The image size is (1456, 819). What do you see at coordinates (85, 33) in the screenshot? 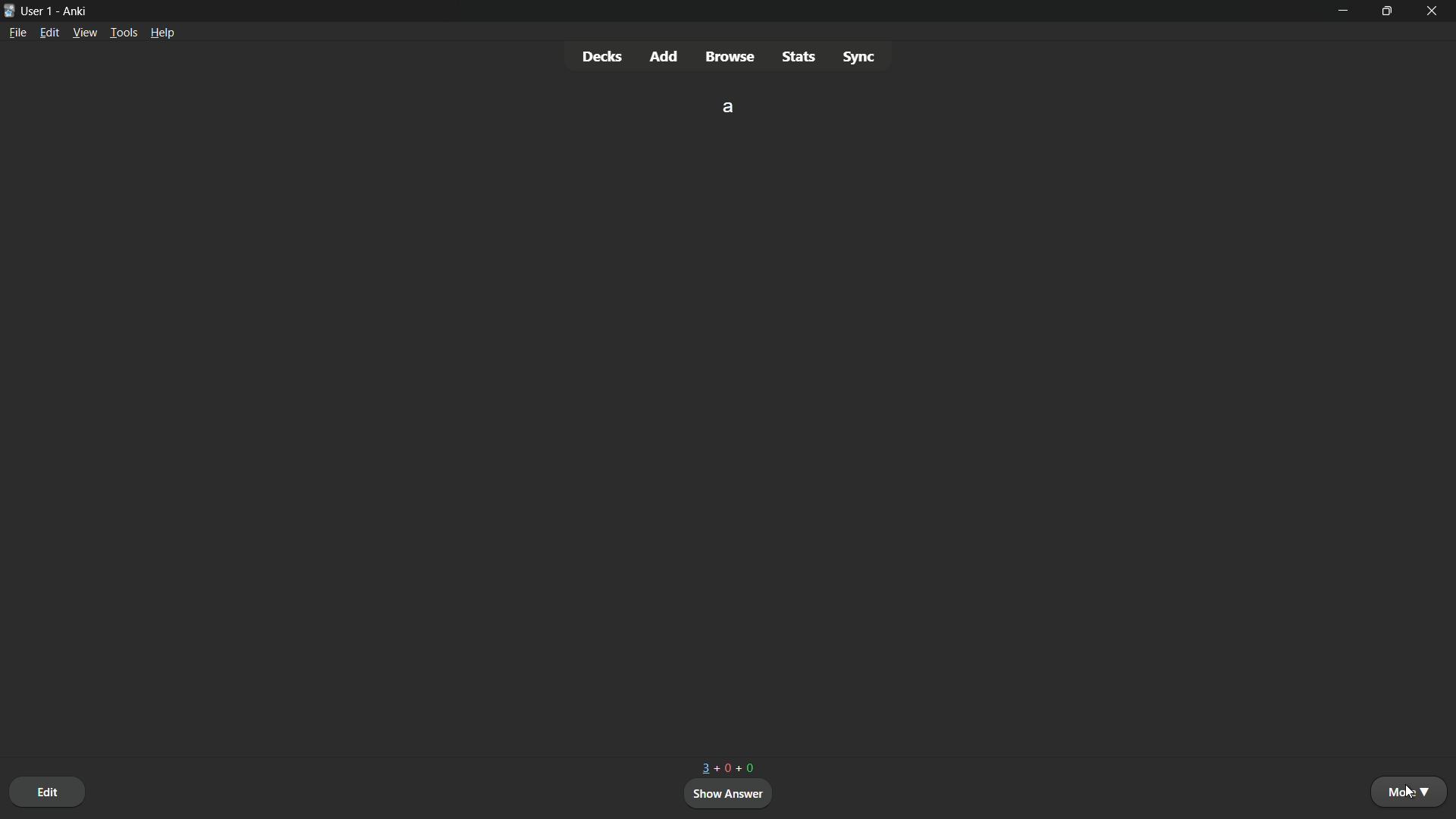
I see `view menu` at bounding box center [85, 33].